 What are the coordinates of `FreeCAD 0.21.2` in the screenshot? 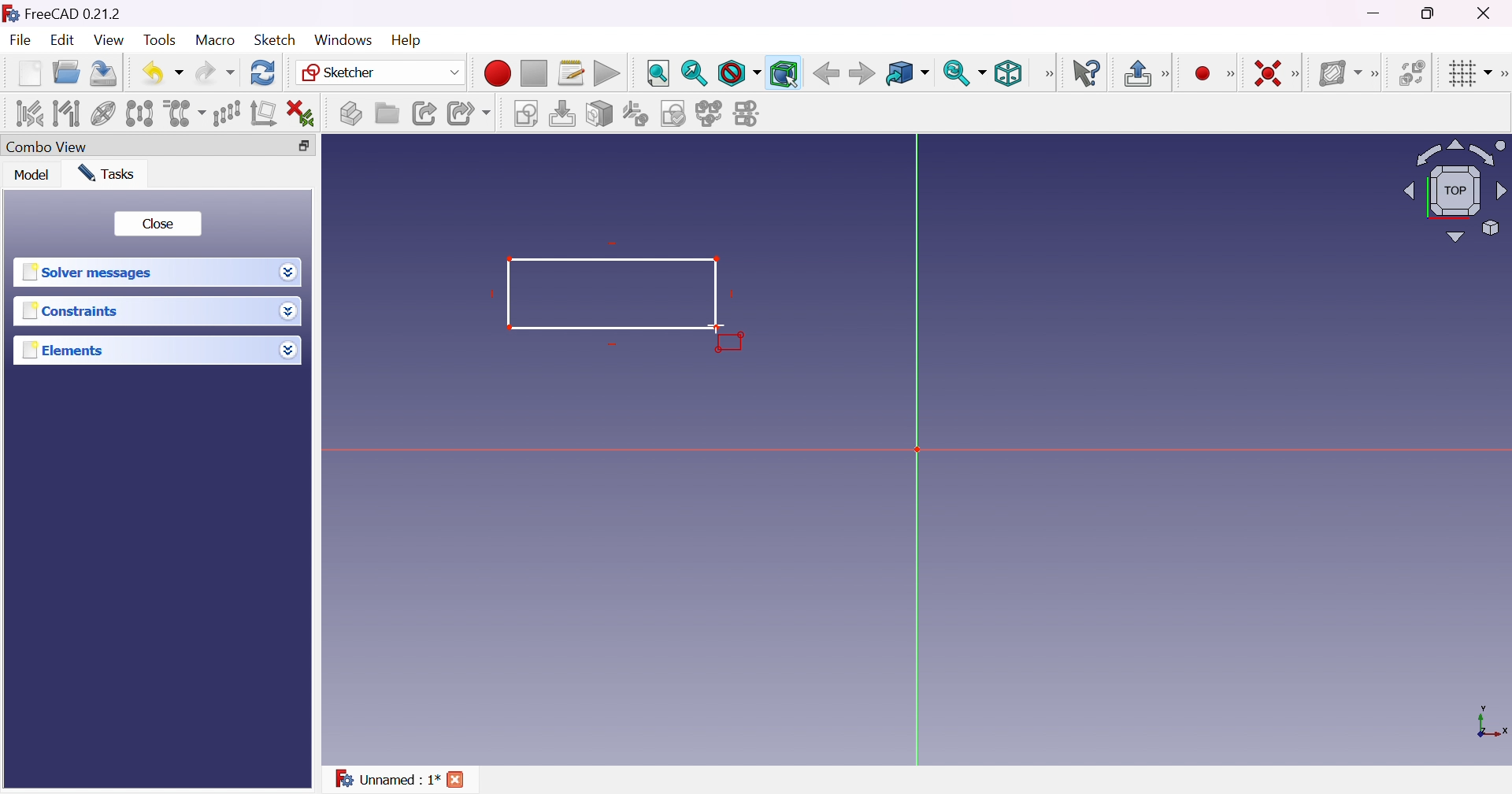 It's located at (72, 13).